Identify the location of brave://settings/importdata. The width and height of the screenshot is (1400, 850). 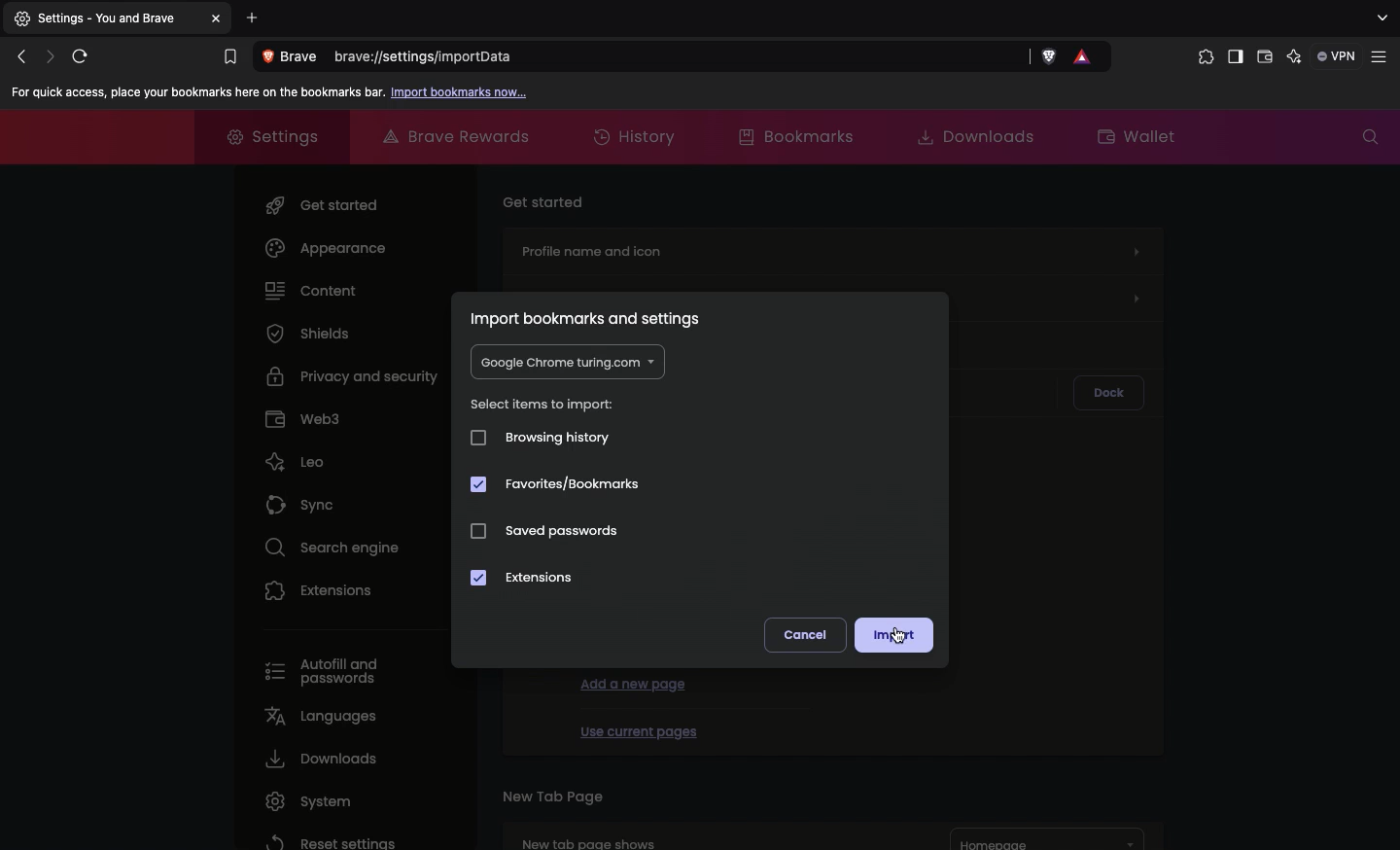
(682, 58).